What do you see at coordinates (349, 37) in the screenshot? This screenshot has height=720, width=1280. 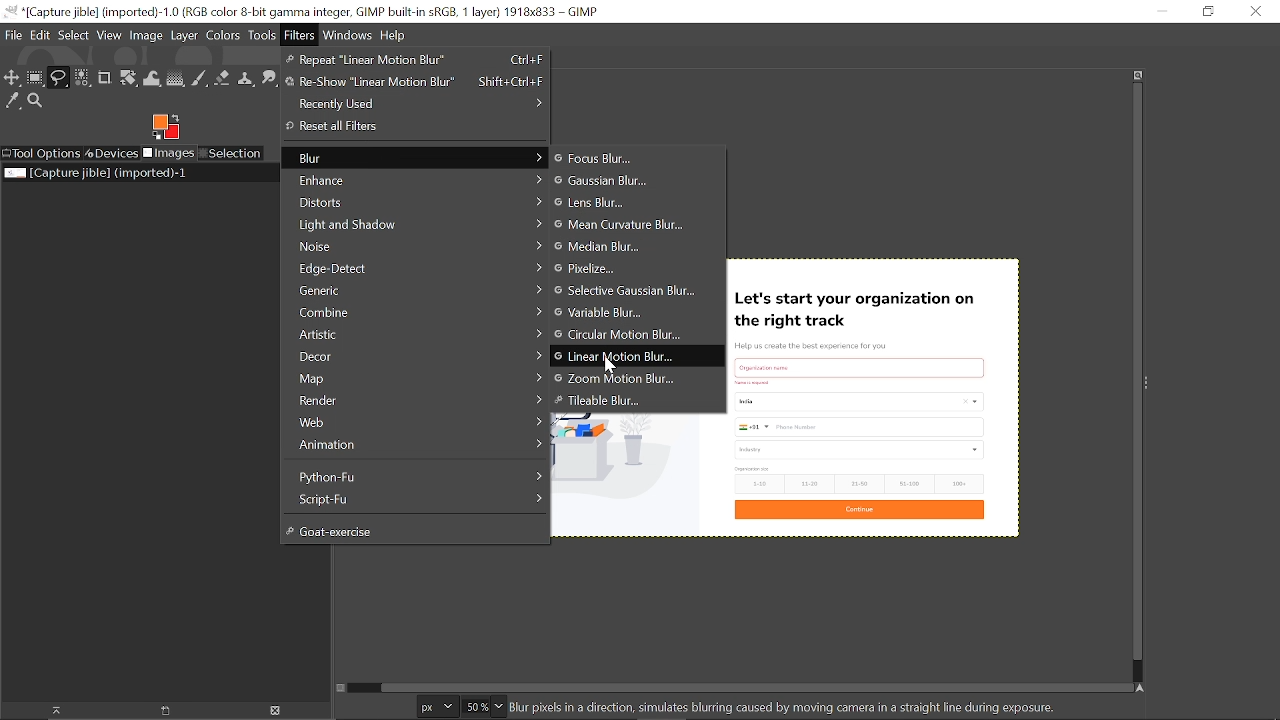 I see `Windows` at bounding box center [349, 37].